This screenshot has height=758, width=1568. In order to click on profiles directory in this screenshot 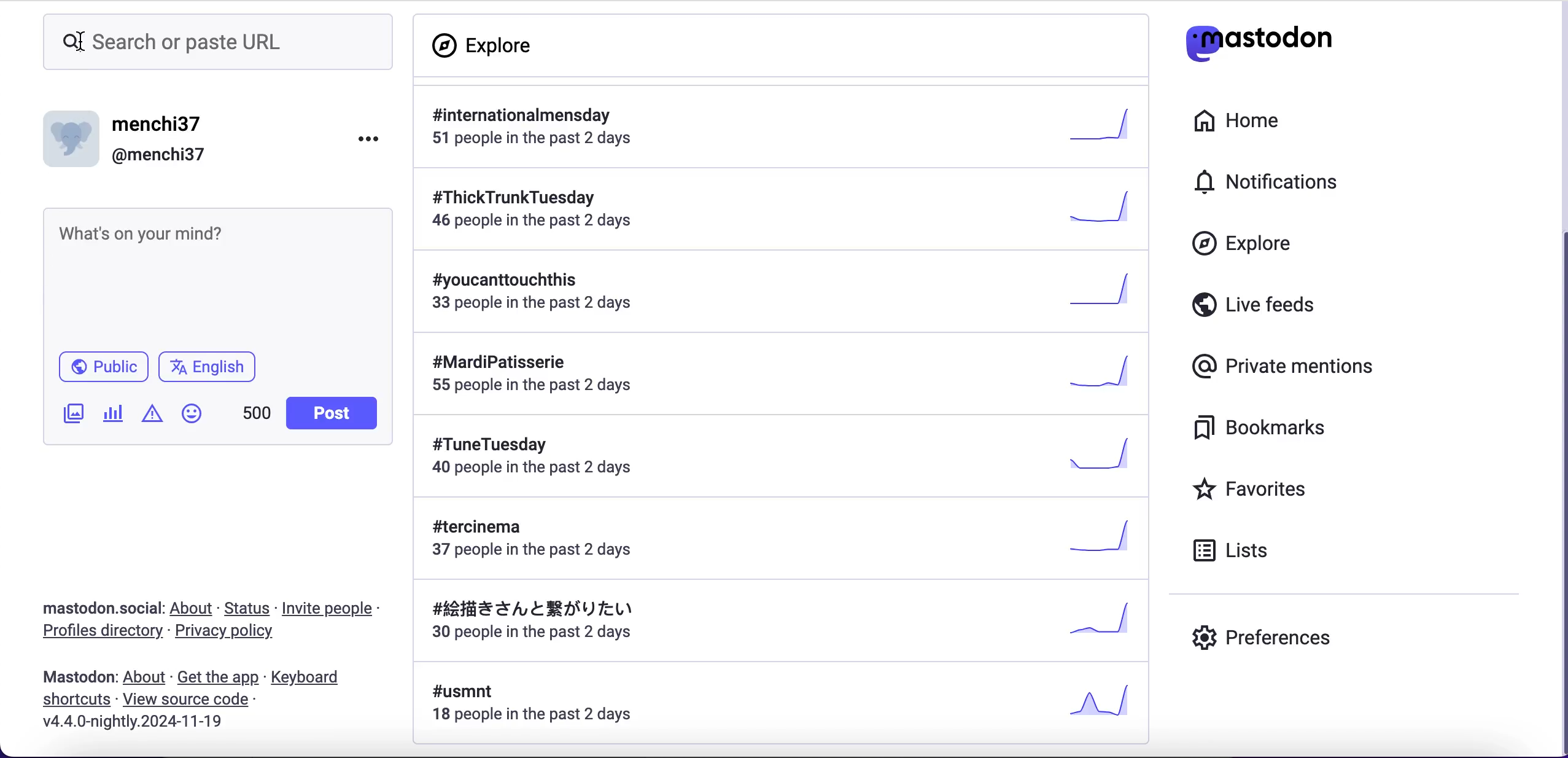, I will do `click(100, 633)`.